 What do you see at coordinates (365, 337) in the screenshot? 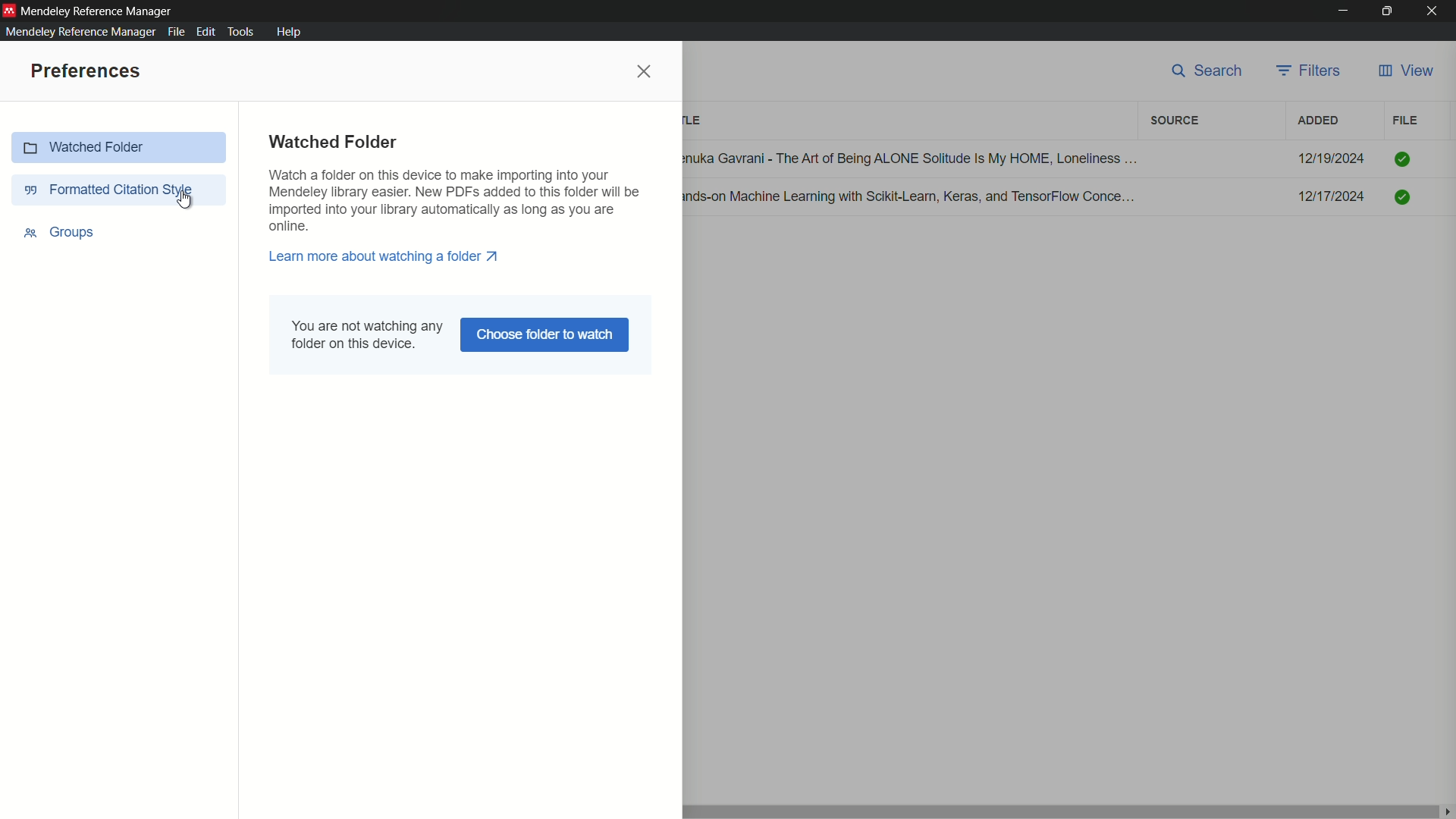
I see `You are not watching any folder on this device` at bounding box center [365, 337].